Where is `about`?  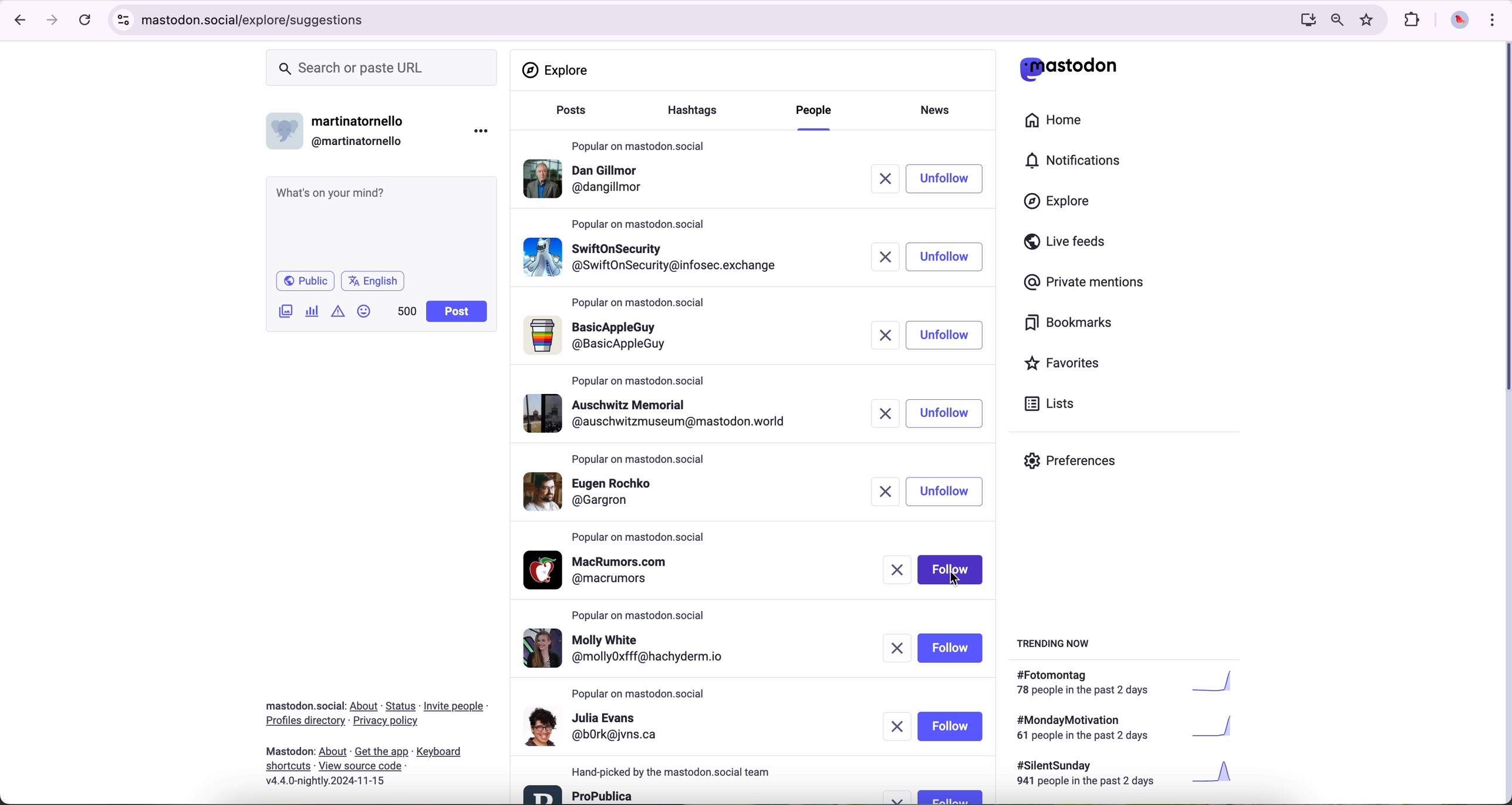 about is located at coordinates (376, 739).